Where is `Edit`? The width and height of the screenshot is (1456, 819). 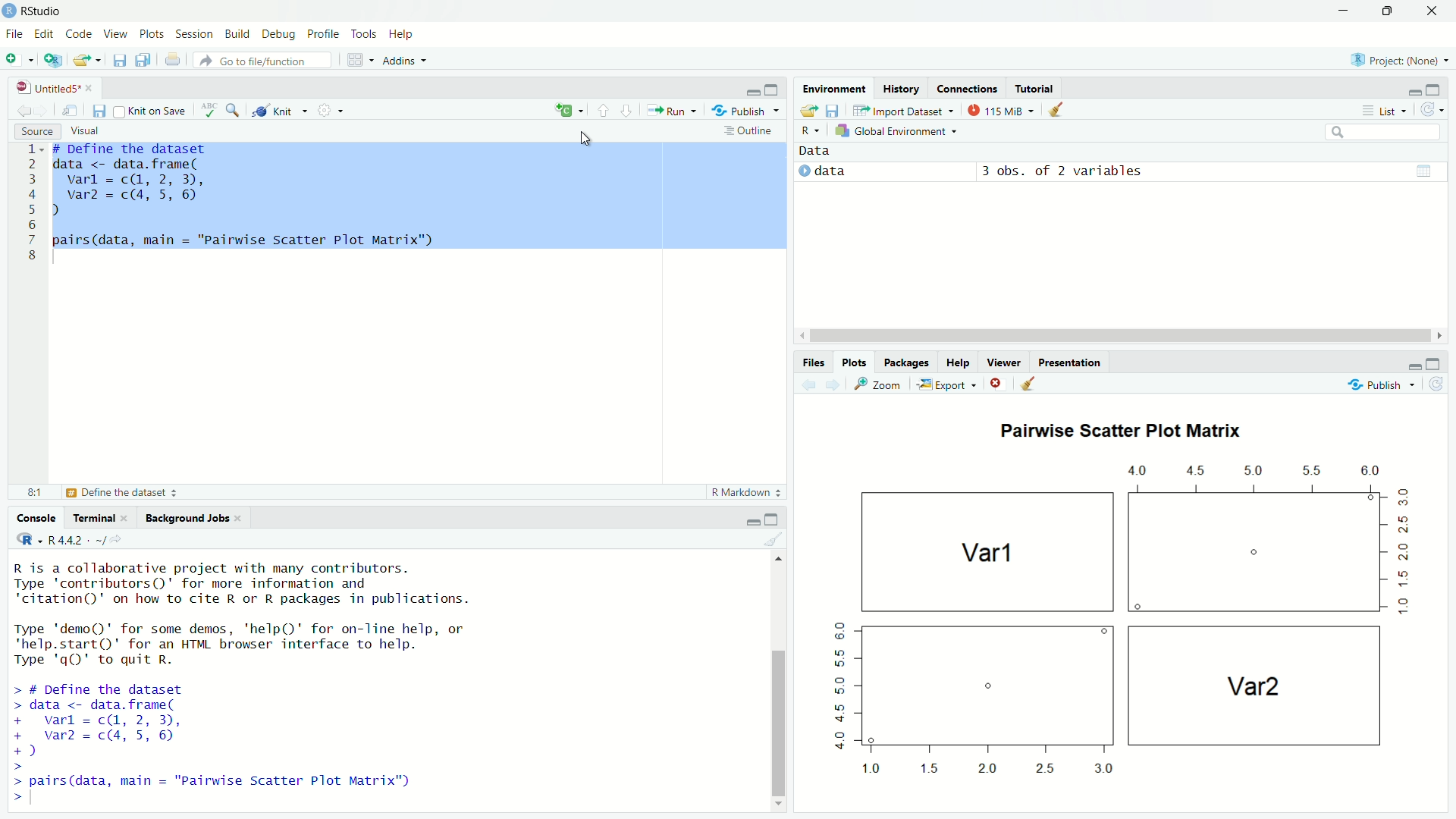 Edit is located at coordinates (45, 32).